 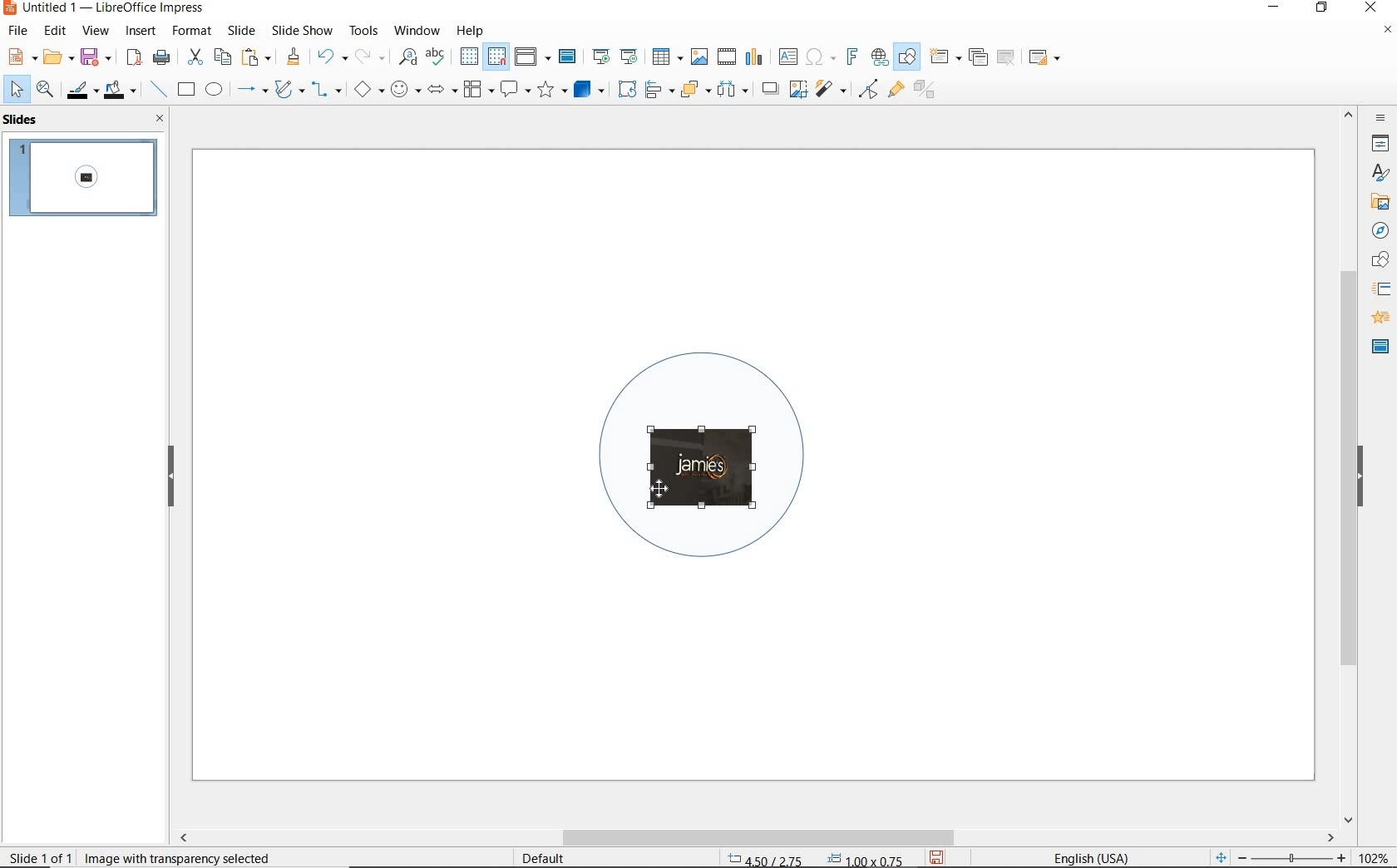 I want to click on hide, so click(x=171, y=477).